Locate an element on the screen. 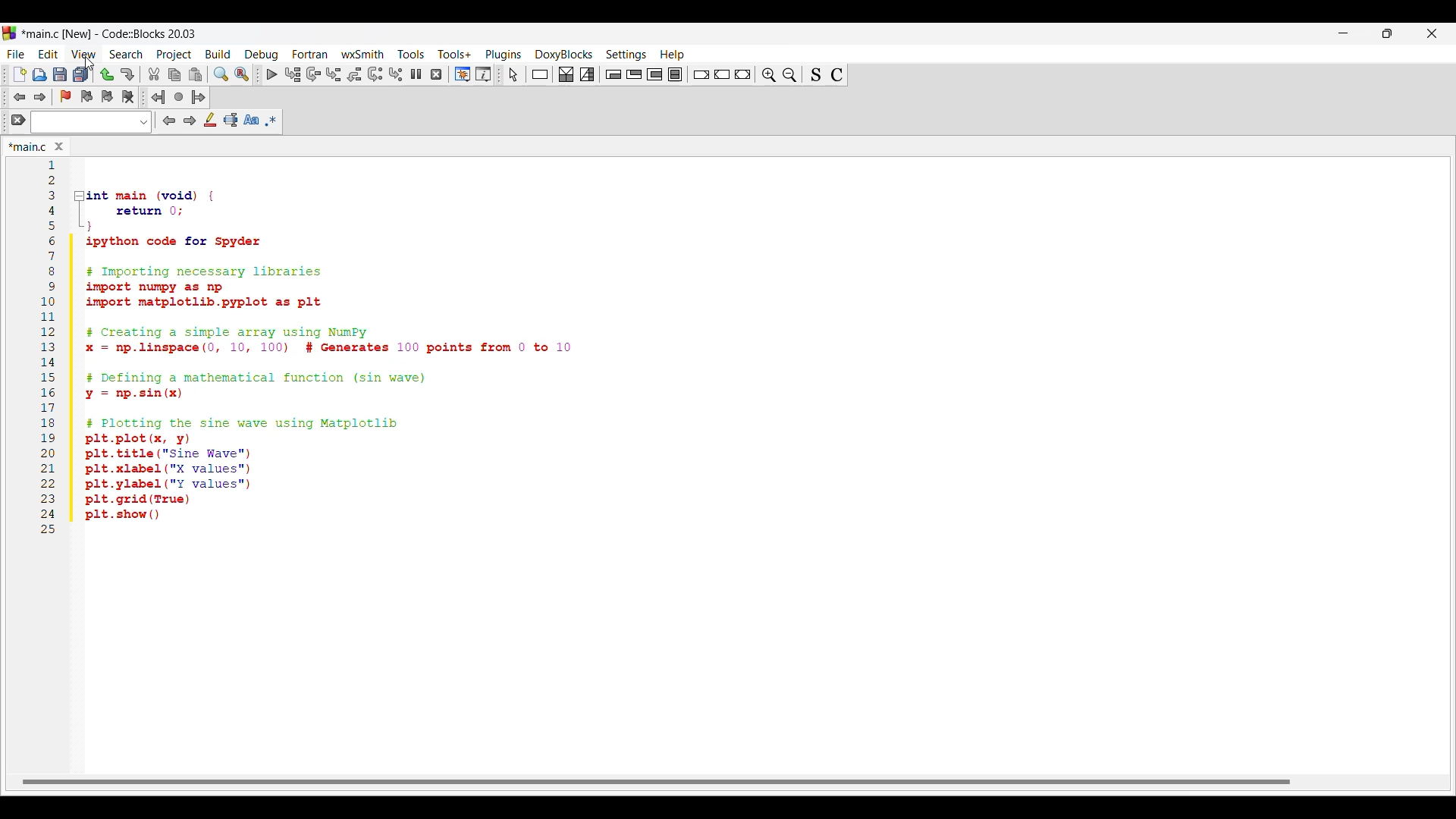  Continue instruction is located at coordinates (722, 74).